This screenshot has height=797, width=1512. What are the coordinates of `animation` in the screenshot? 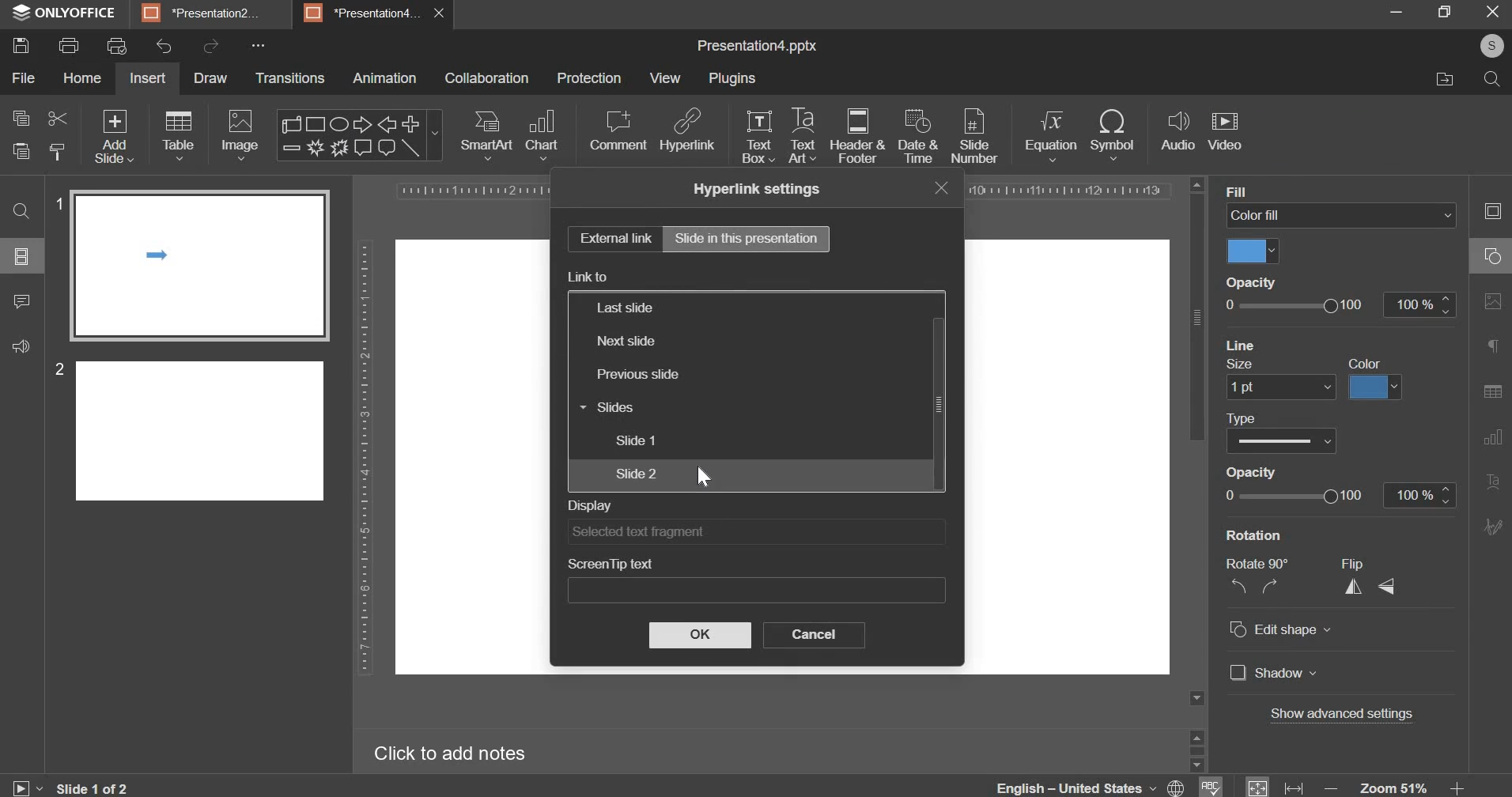 It's located at (384, 80).